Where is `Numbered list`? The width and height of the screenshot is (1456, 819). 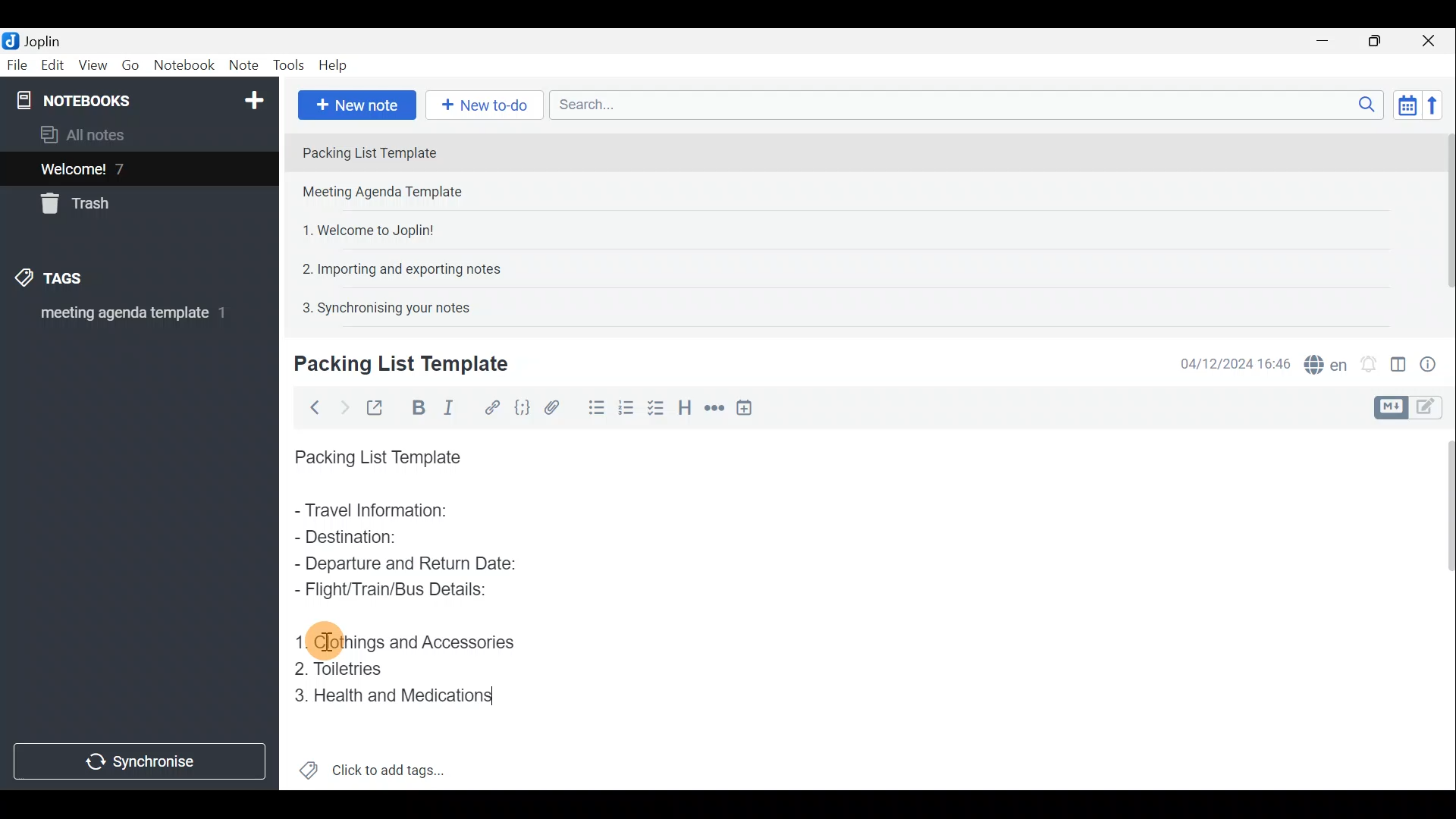
Numbered list is located at coordinates (657, 407).